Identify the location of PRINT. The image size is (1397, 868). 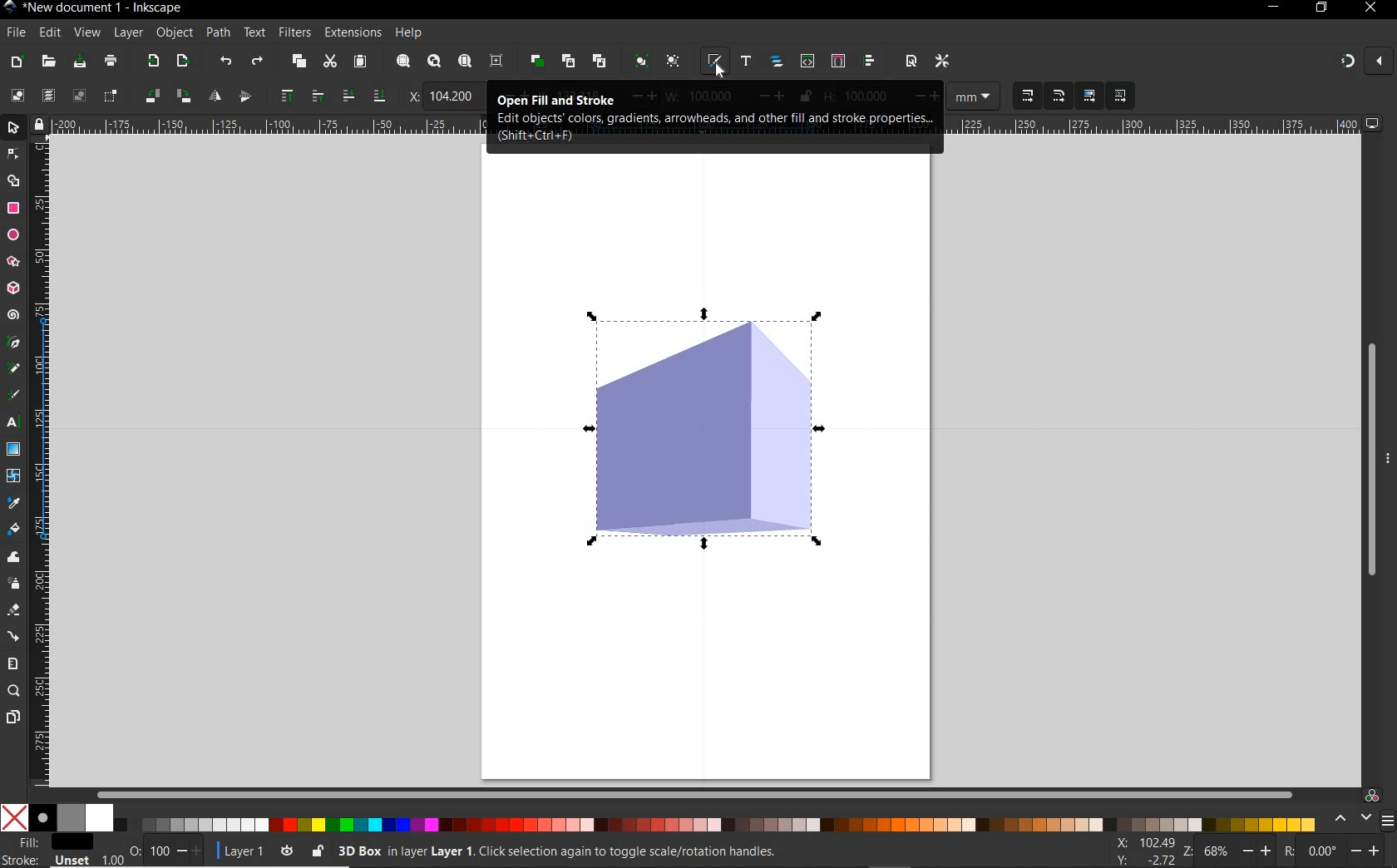
(111, 60).